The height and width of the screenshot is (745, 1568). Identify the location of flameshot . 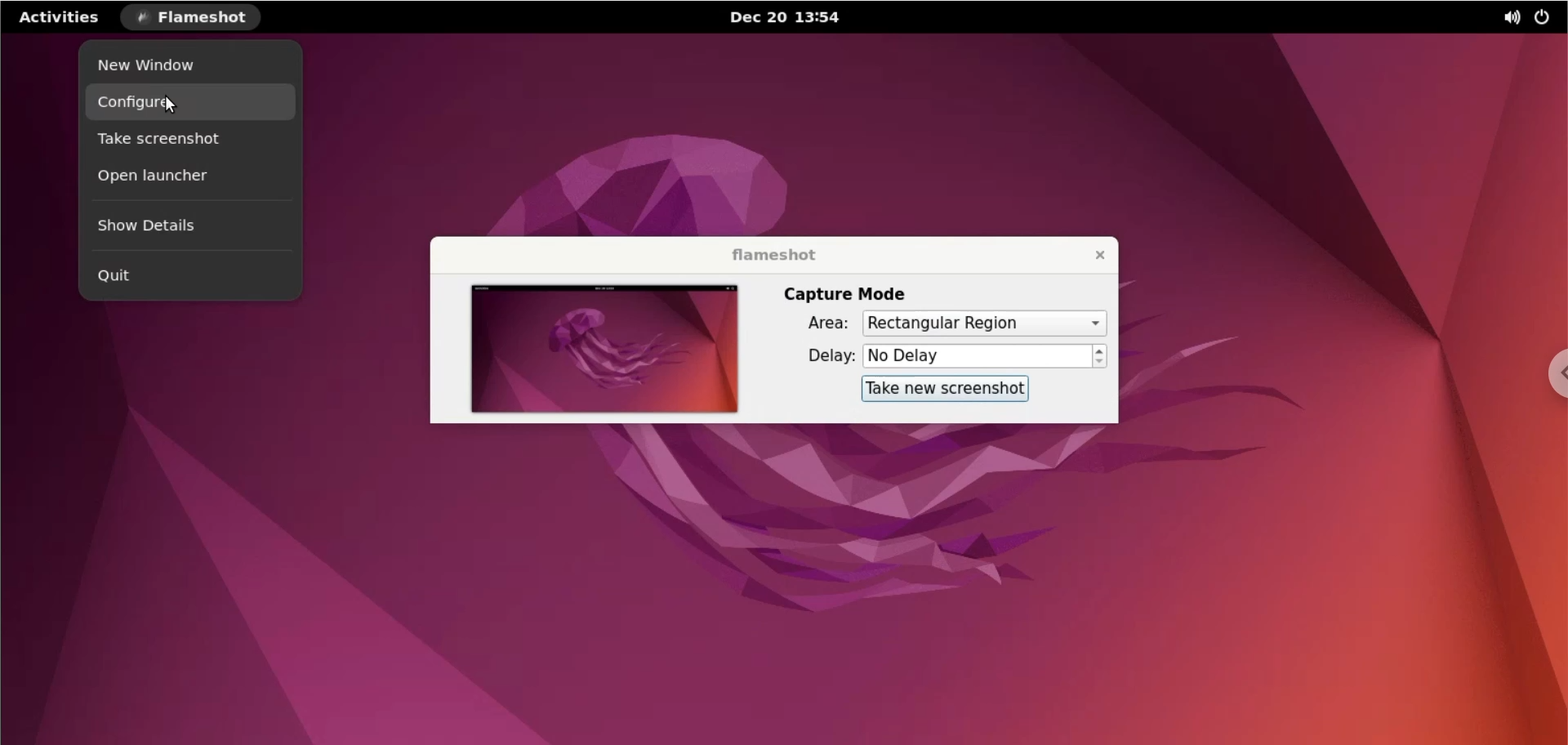
(783, 254).